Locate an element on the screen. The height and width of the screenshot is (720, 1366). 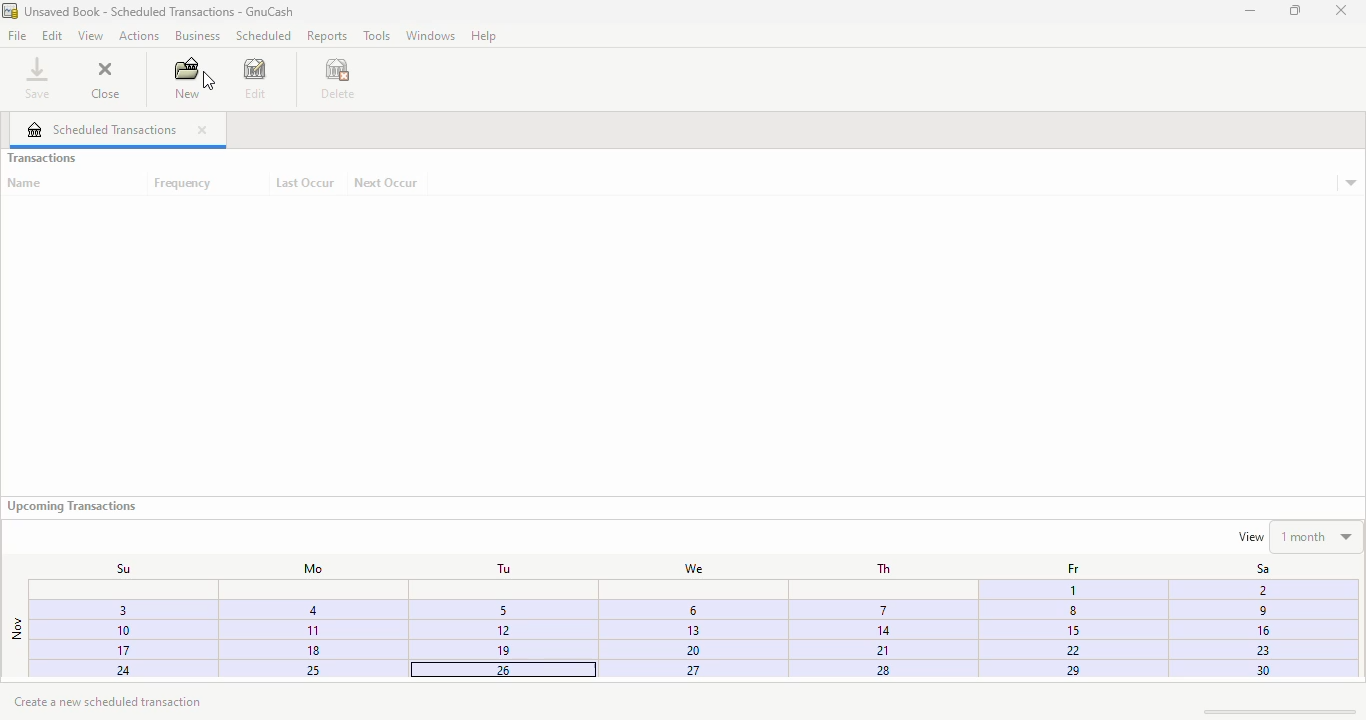
edit is located at coordinates (53, 36).